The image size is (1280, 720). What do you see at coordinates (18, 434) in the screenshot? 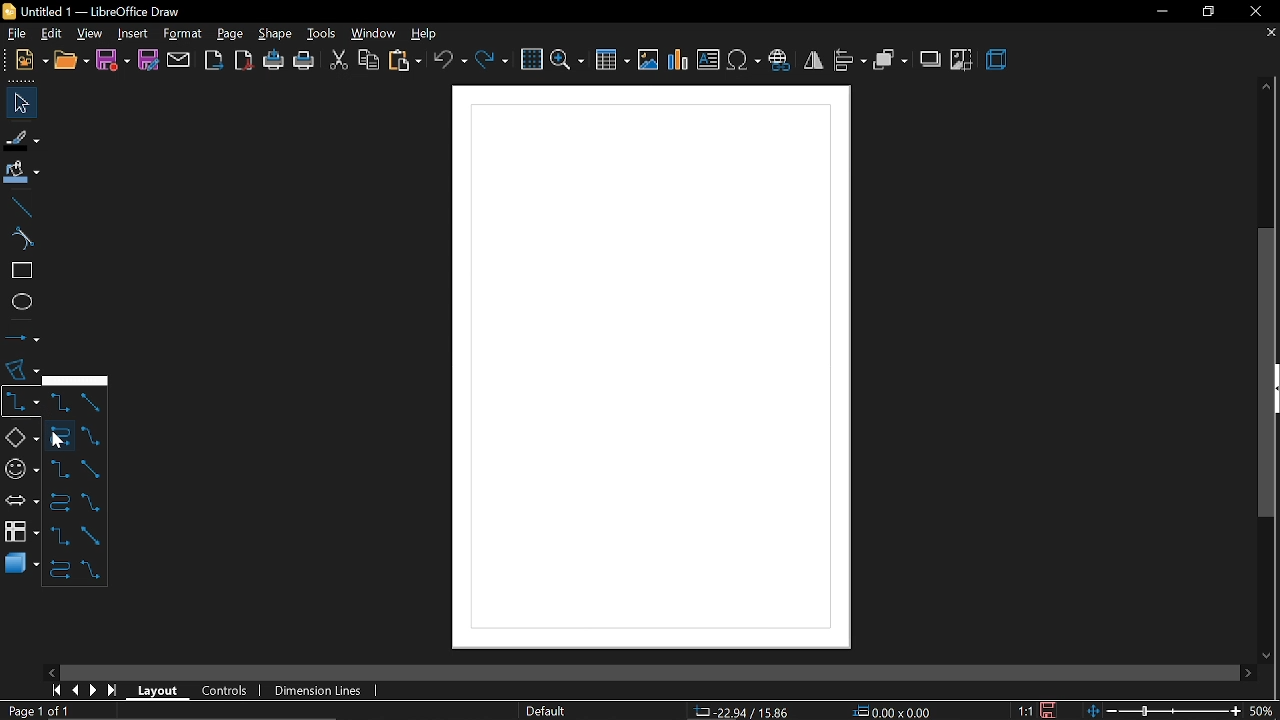
I see `basic shapes` at bounding box center [18, 434].